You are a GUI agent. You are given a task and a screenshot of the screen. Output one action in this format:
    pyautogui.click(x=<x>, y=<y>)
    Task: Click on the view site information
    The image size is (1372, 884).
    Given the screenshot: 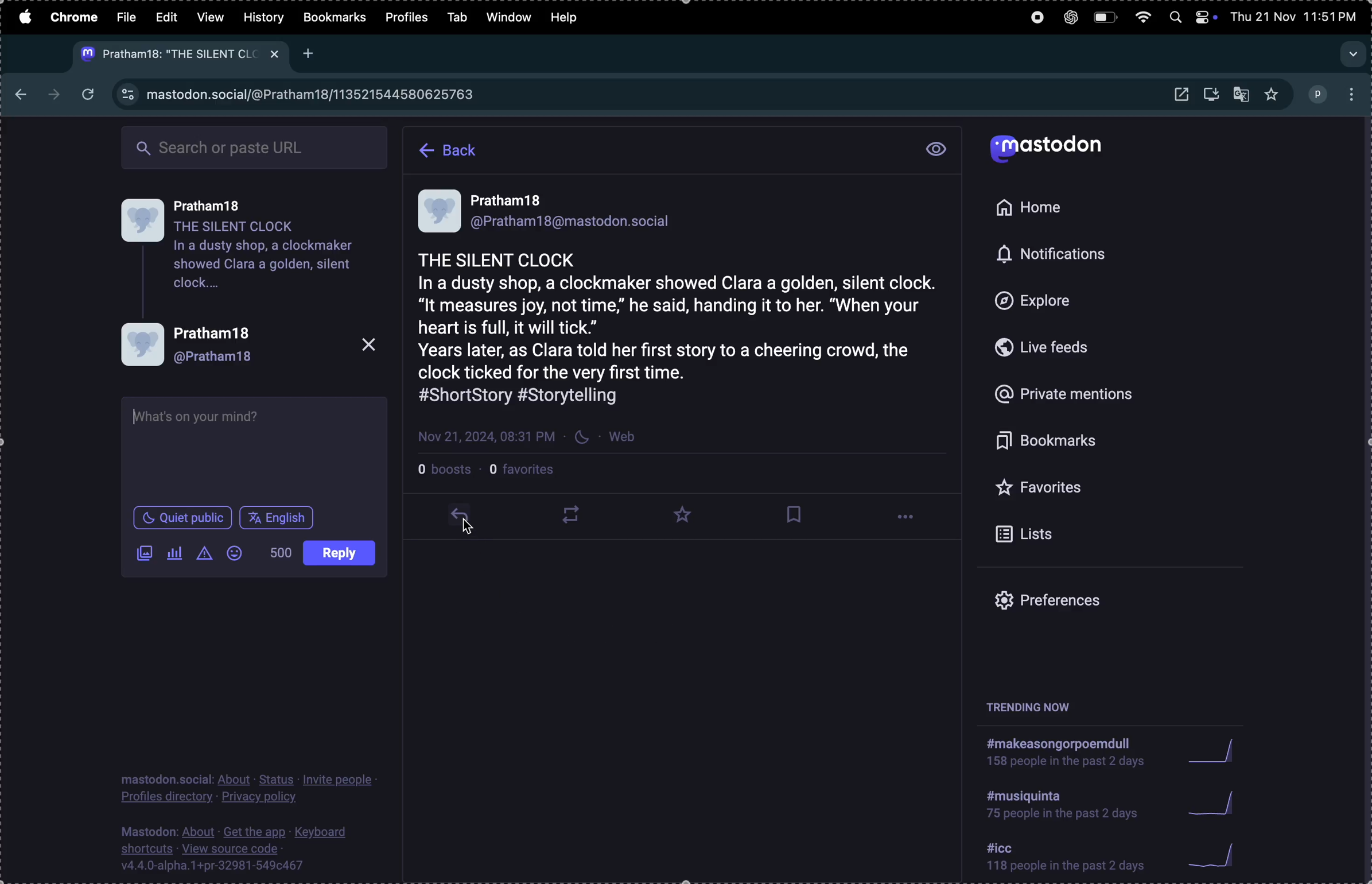 What is the action you would take?
    pyautogui.click(x=130, y=95)
    